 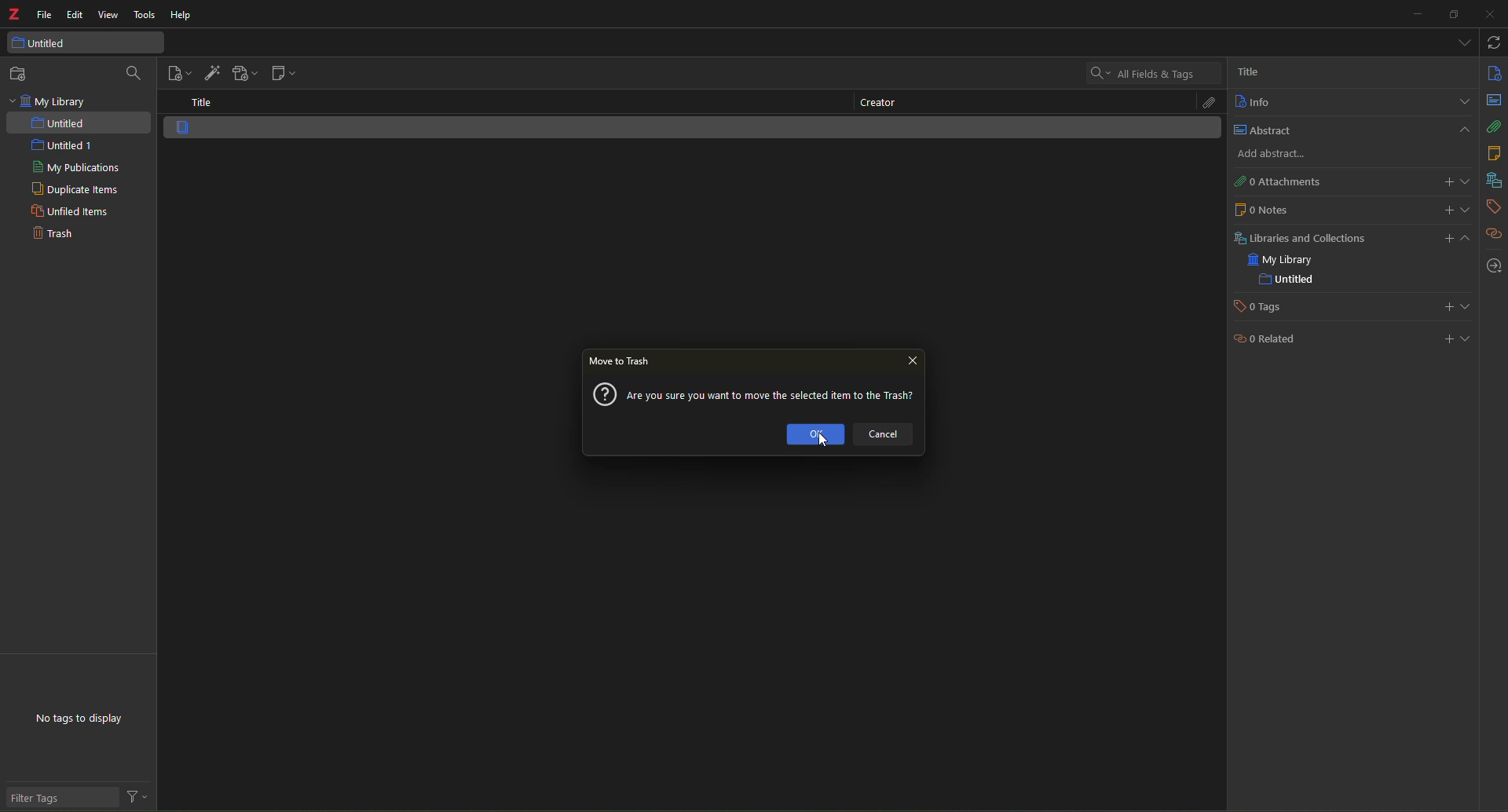 I want to click on related, so click(x=1495, y=234).